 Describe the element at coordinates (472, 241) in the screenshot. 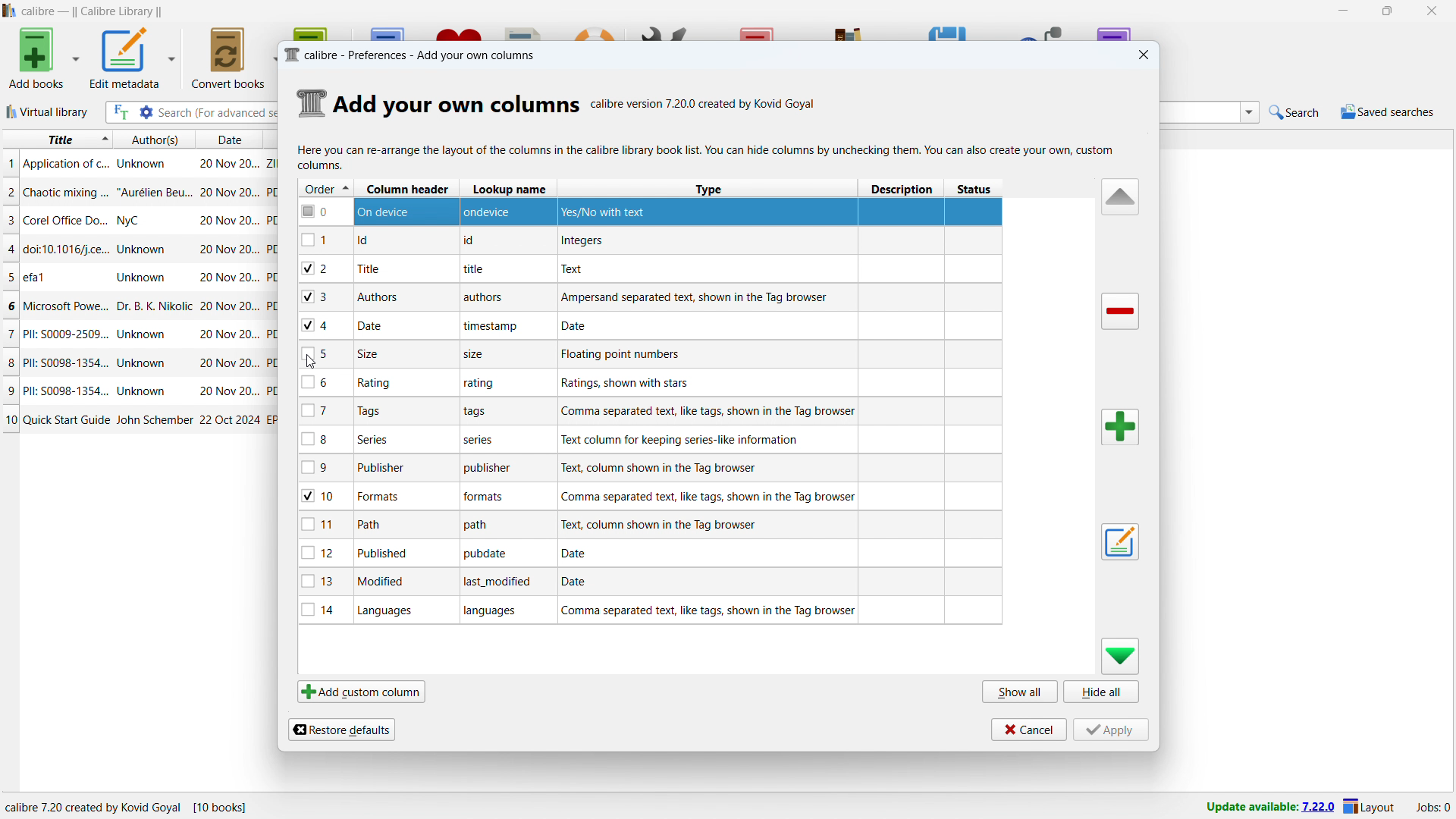

I see `id` at that location.